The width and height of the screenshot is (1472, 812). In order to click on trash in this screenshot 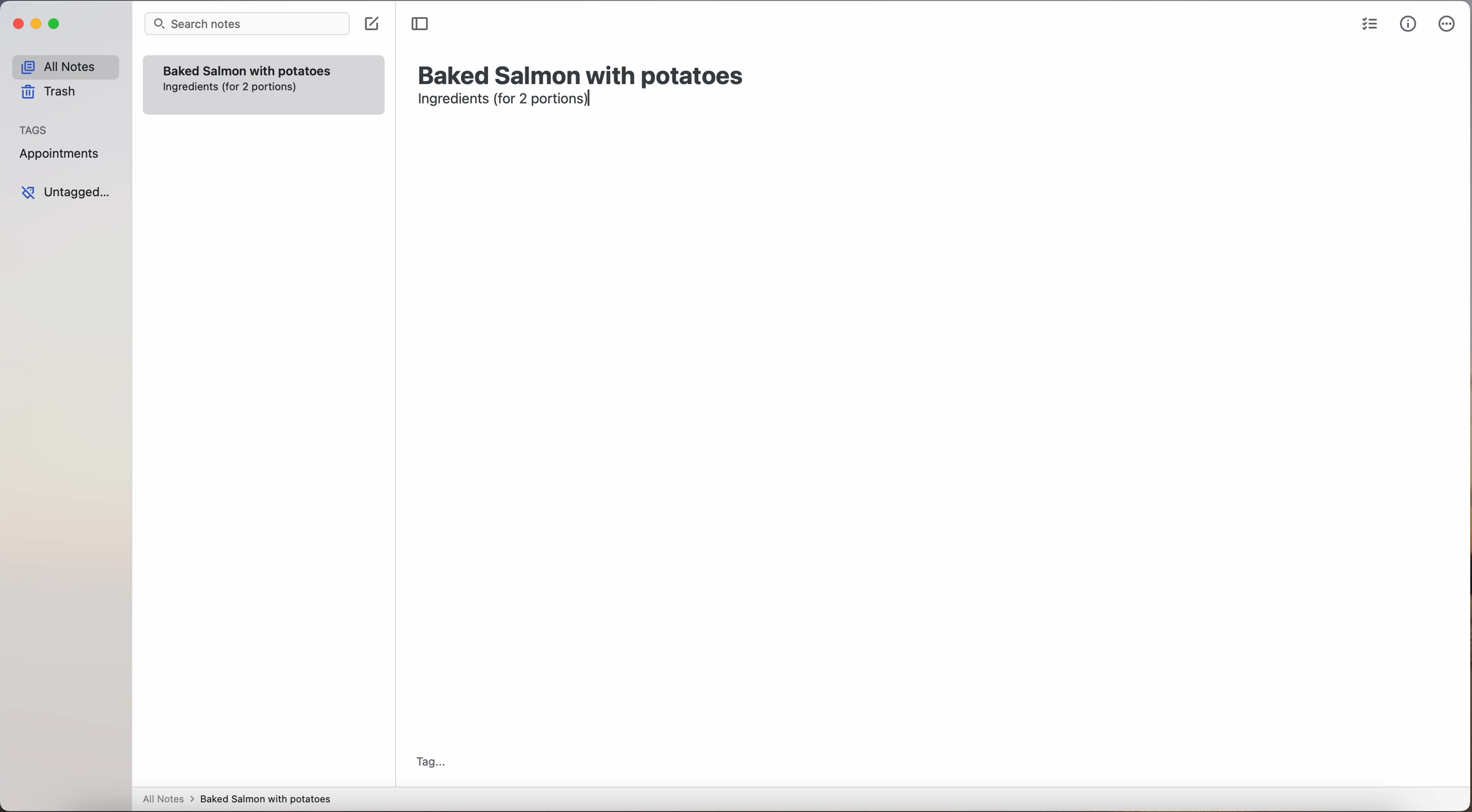, I will do `click(53, 92)`.